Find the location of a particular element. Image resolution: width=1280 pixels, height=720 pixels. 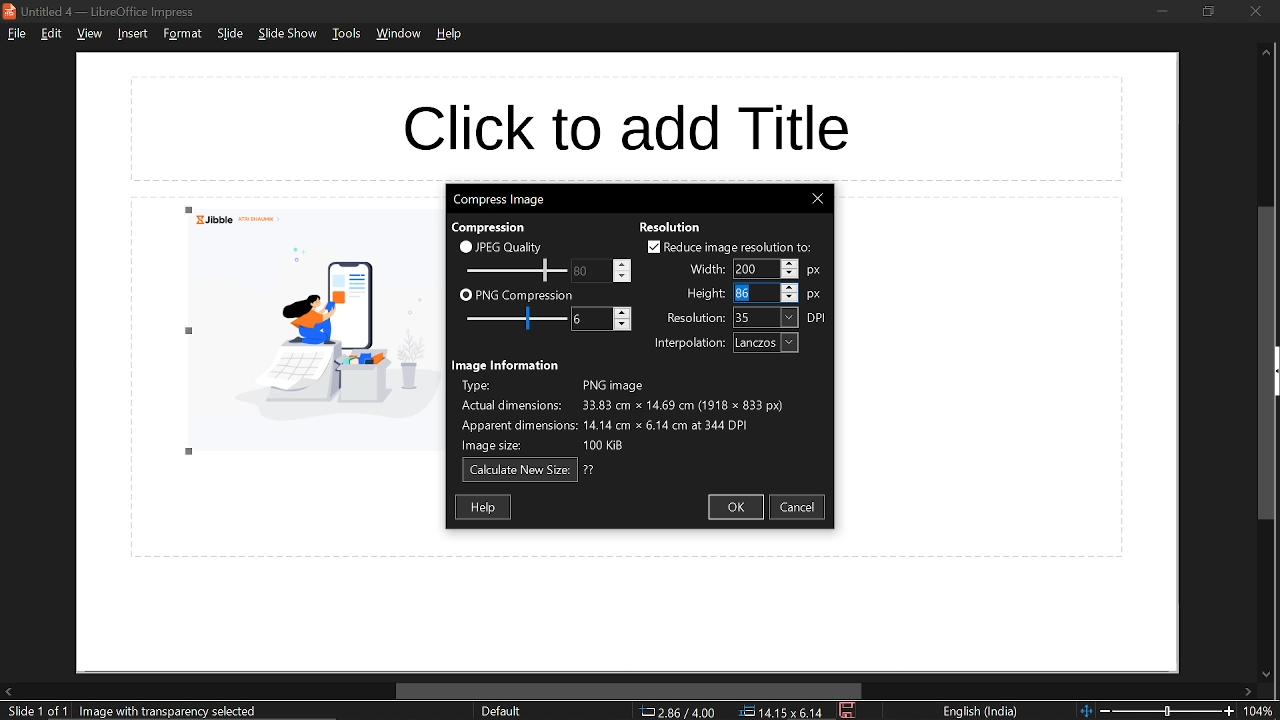

slide show is located at coordinates (288, 34).